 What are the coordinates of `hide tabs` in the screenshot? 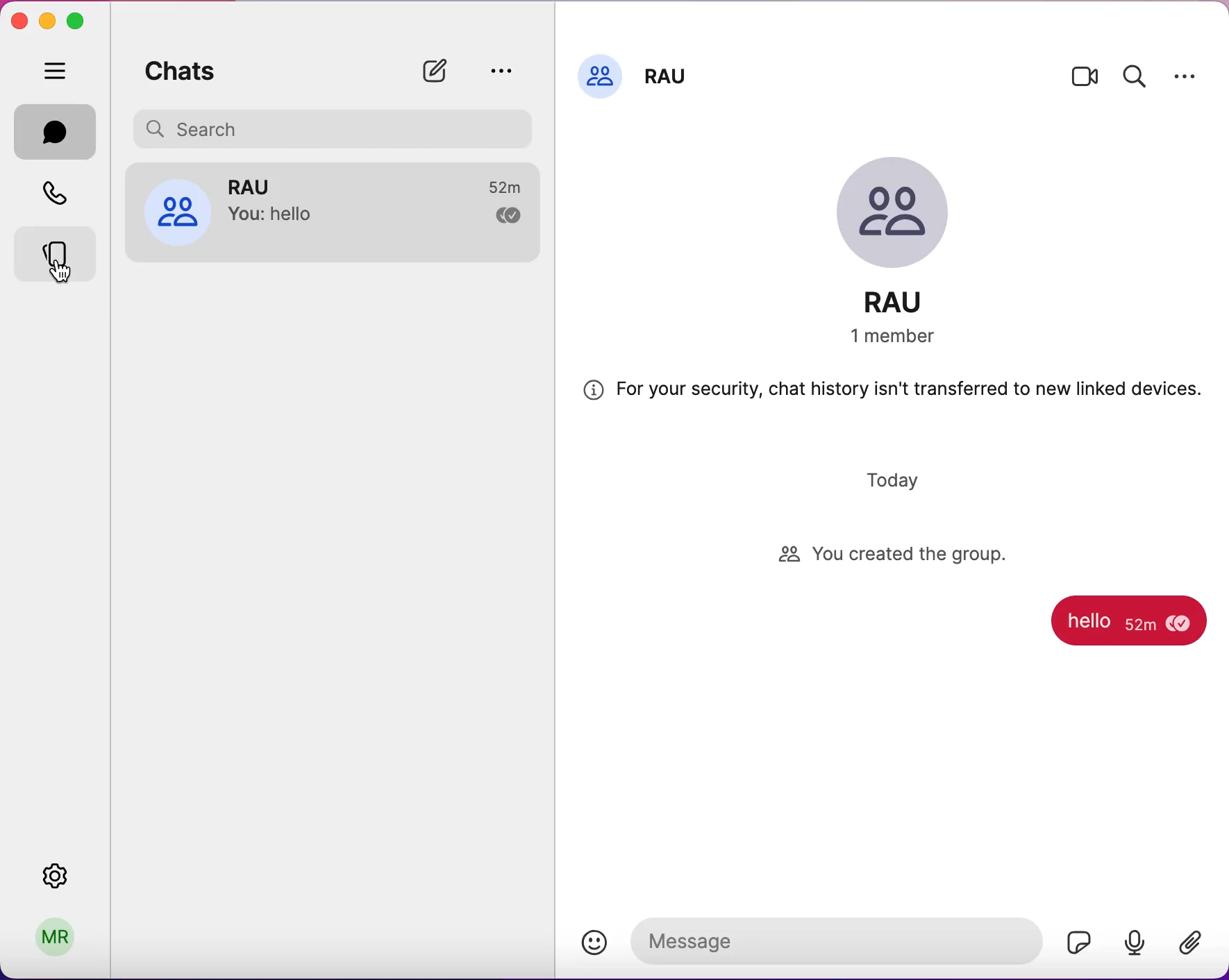 It's located at (58, 74).